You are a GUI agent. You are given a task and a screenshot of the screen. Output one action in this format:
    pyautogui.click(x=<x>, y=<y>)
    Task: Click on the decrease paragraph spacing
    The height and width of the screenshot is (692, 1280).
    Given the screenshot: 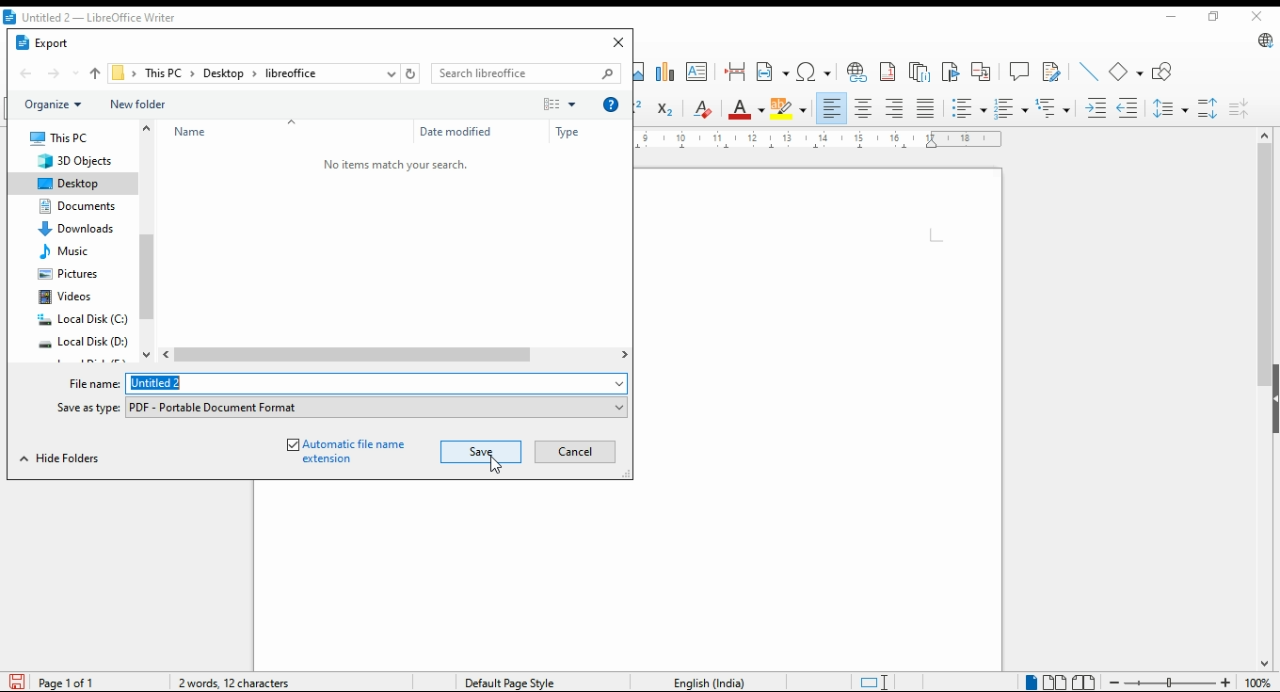 What is the action you would take?
    pyautogui.click(x=1242, y=105)
    